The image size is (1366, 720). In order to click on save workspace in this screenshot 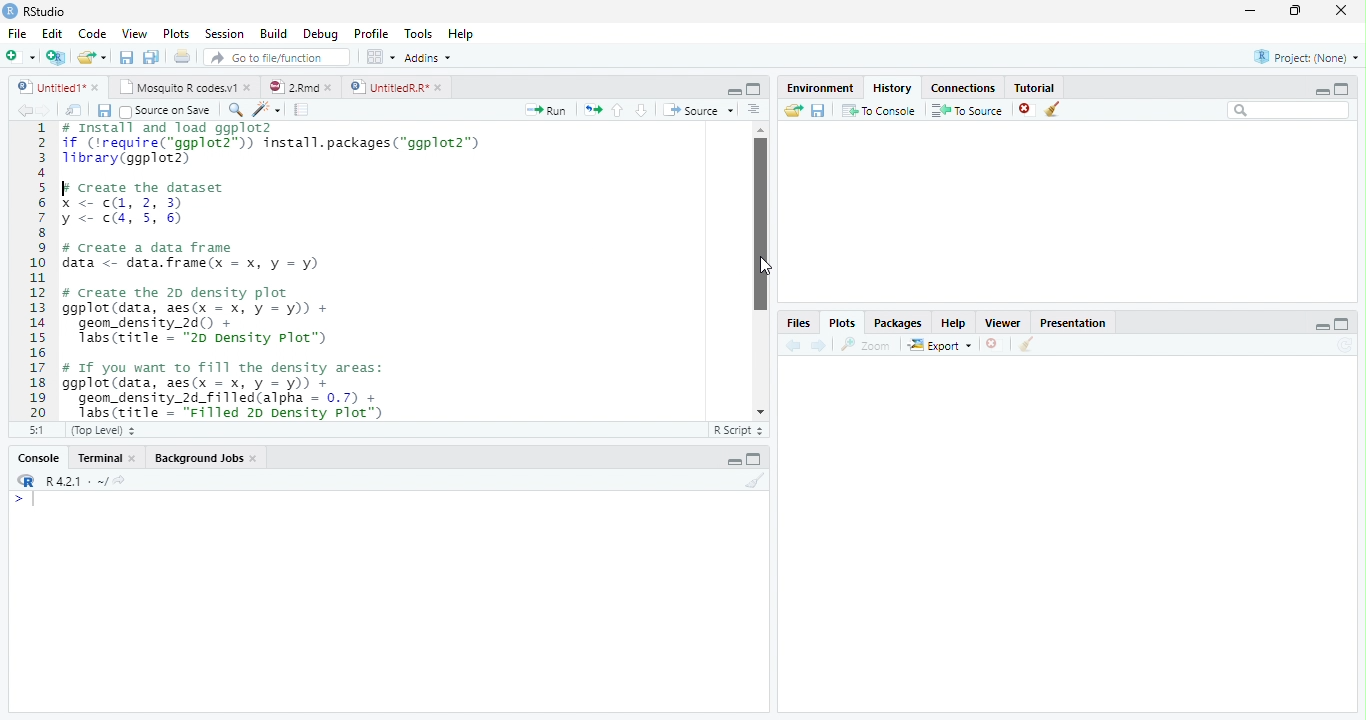, I will do `click(820, 111)`.